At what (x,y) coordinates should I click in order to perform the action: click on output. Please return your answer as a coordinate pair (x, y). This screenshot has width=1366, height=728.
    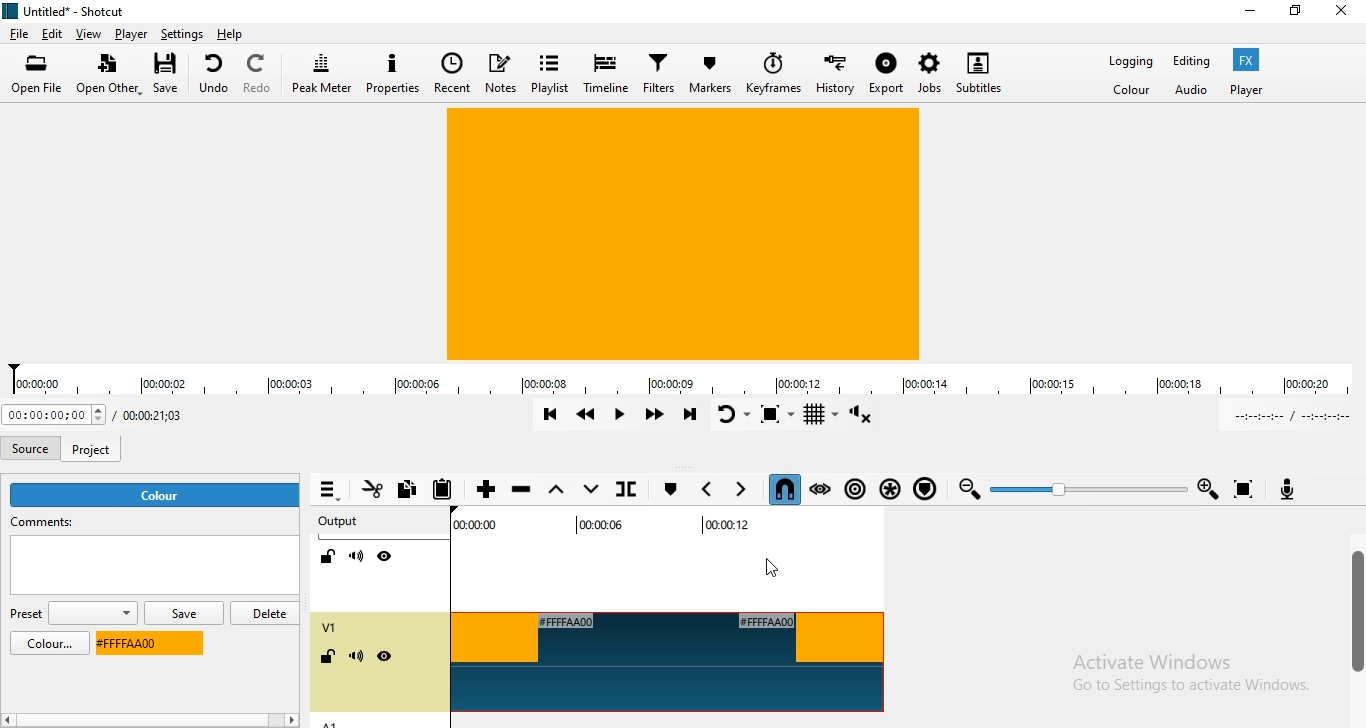
    Looking at the image, I should click on (338, 522).